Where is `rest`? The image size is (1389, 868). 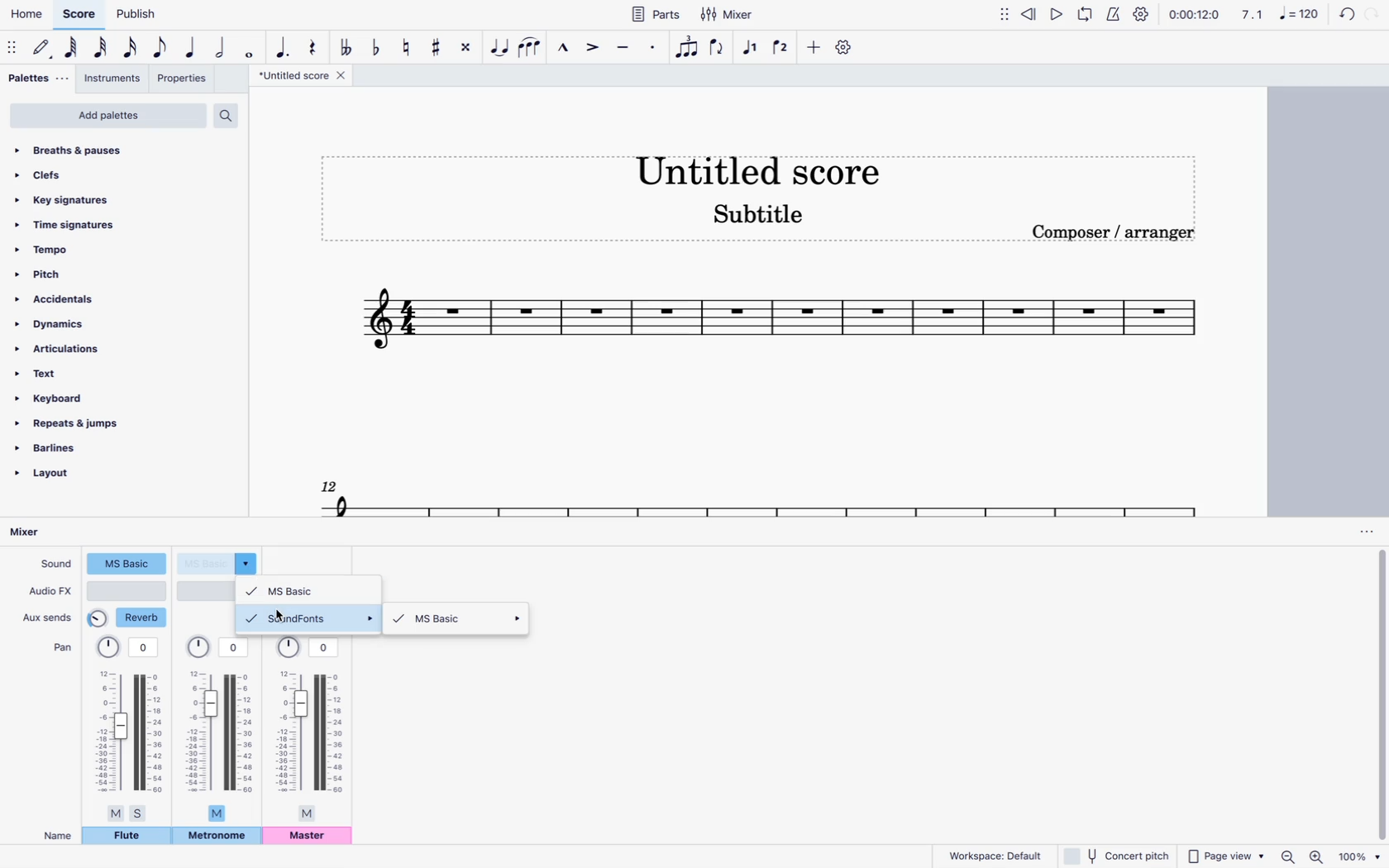 rest is located at coordinates (312, 43).